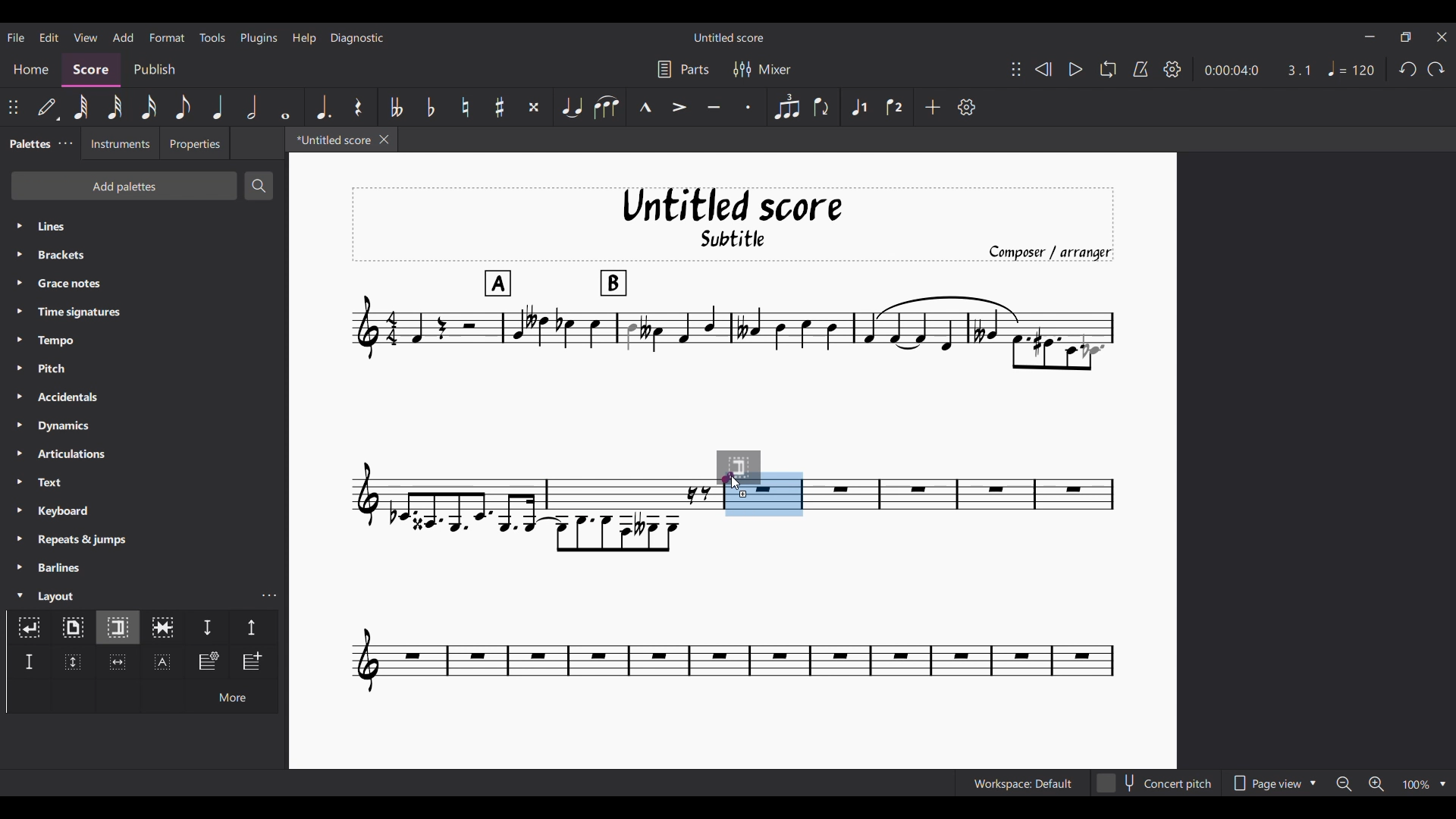 Image resolution: width=1456 pixels, height=819 pixels. I want to click on Tempo, so click(144, 340).